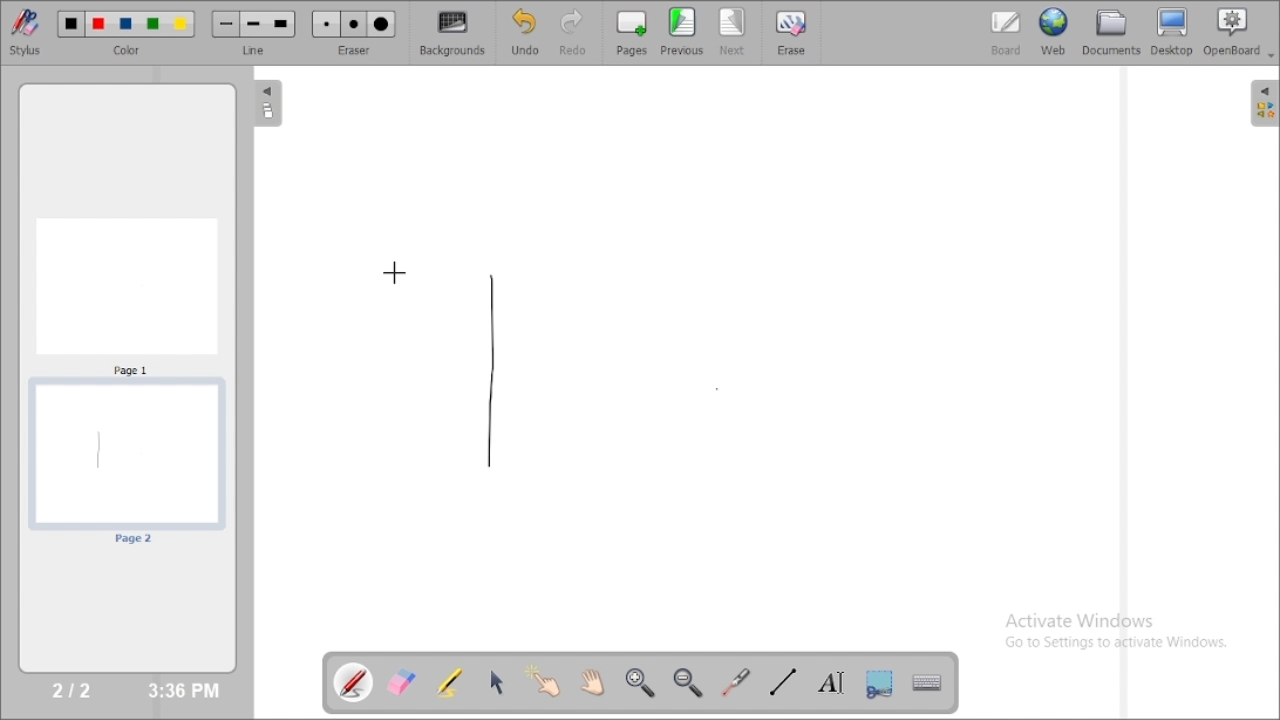  What do you see at coordinates (72, 25) in the screenshot?
I see `Color 1` at bounding box center [72, 25].